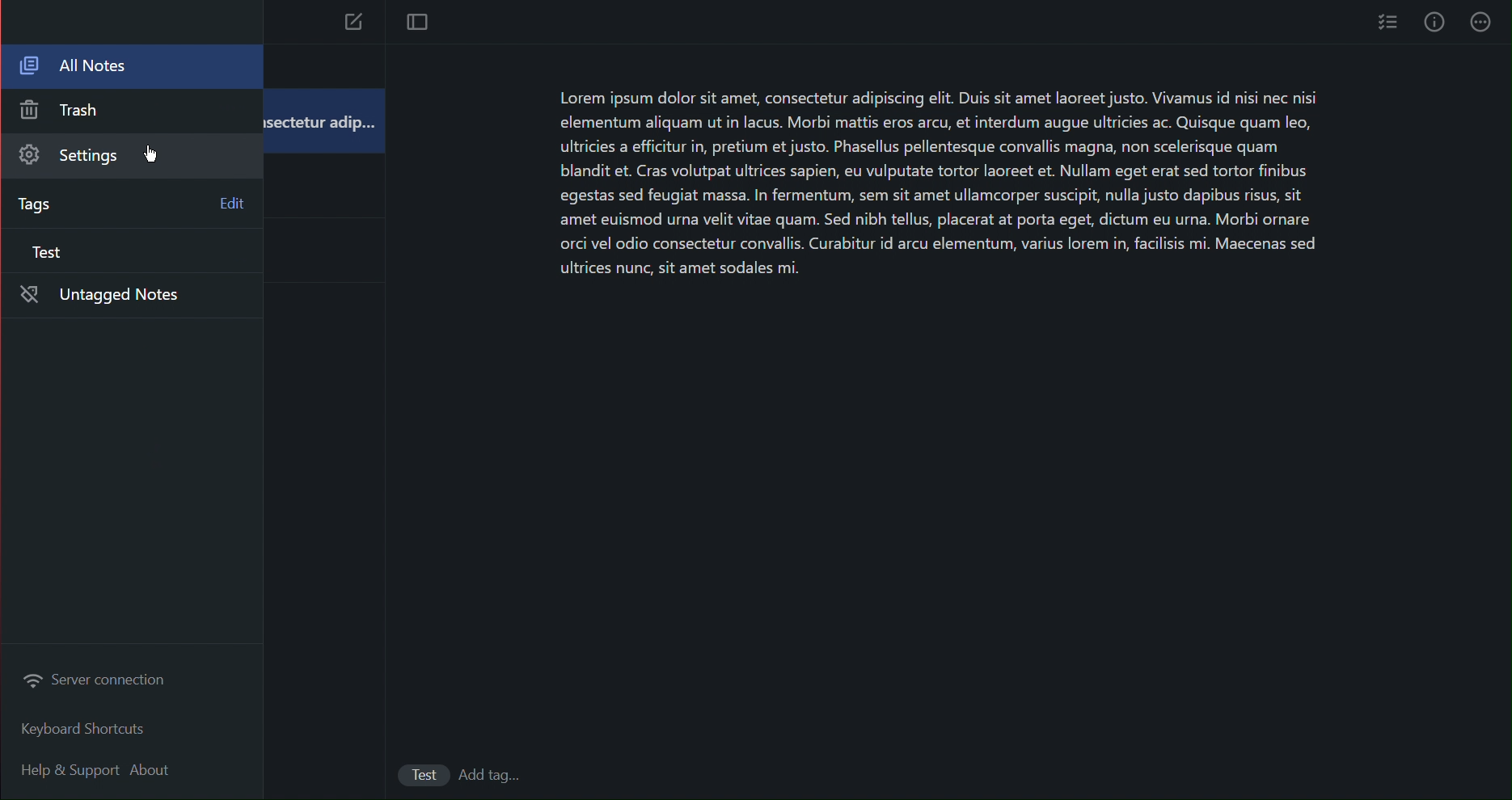 The width and height of the screenshot is (1512, 800). What do you see at coordinates (154, 771) in the screenshot?
I see `About` at bounding box center [154, 771].